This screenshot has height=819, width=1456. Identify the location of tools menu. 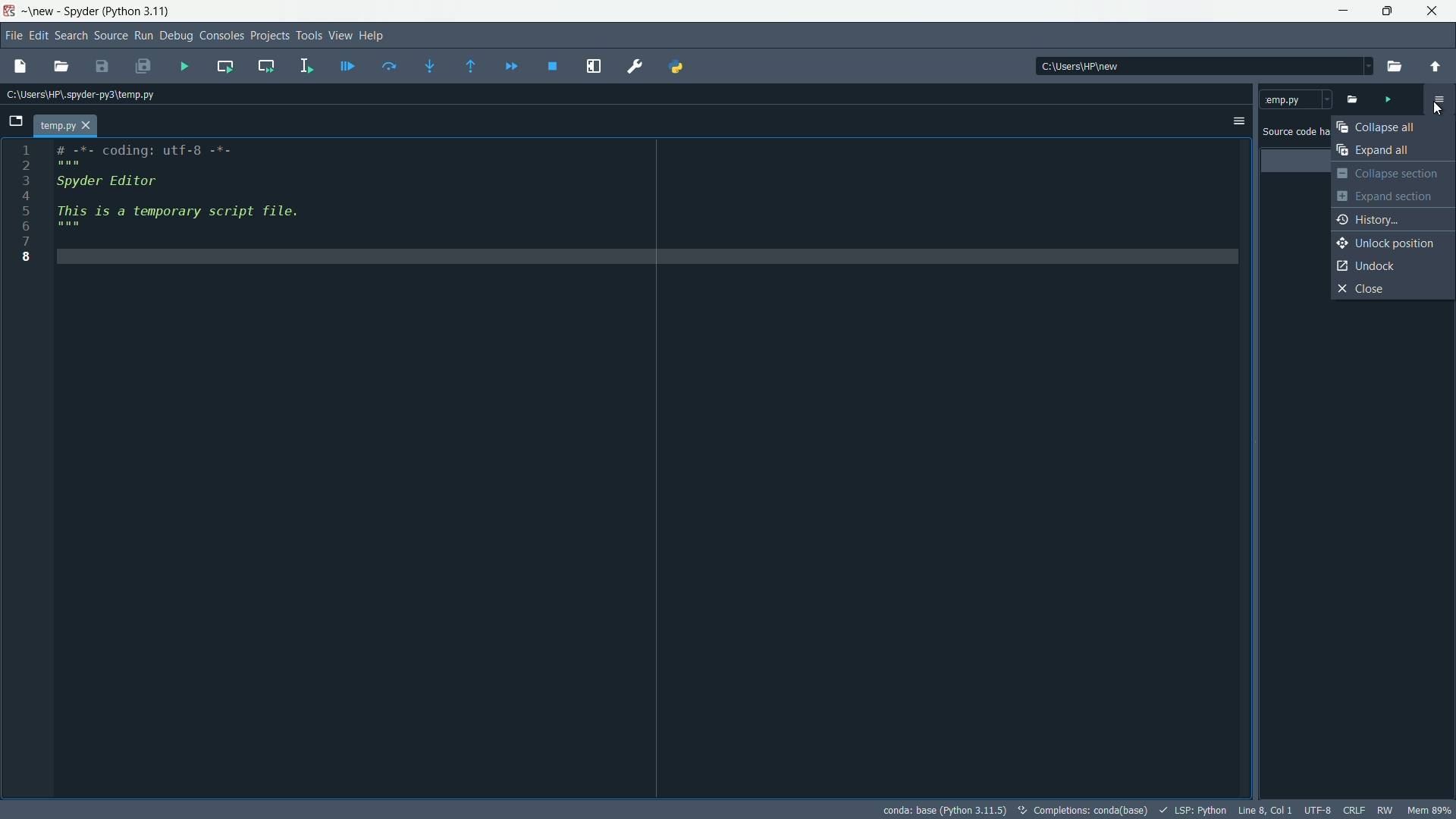
(308, 37).